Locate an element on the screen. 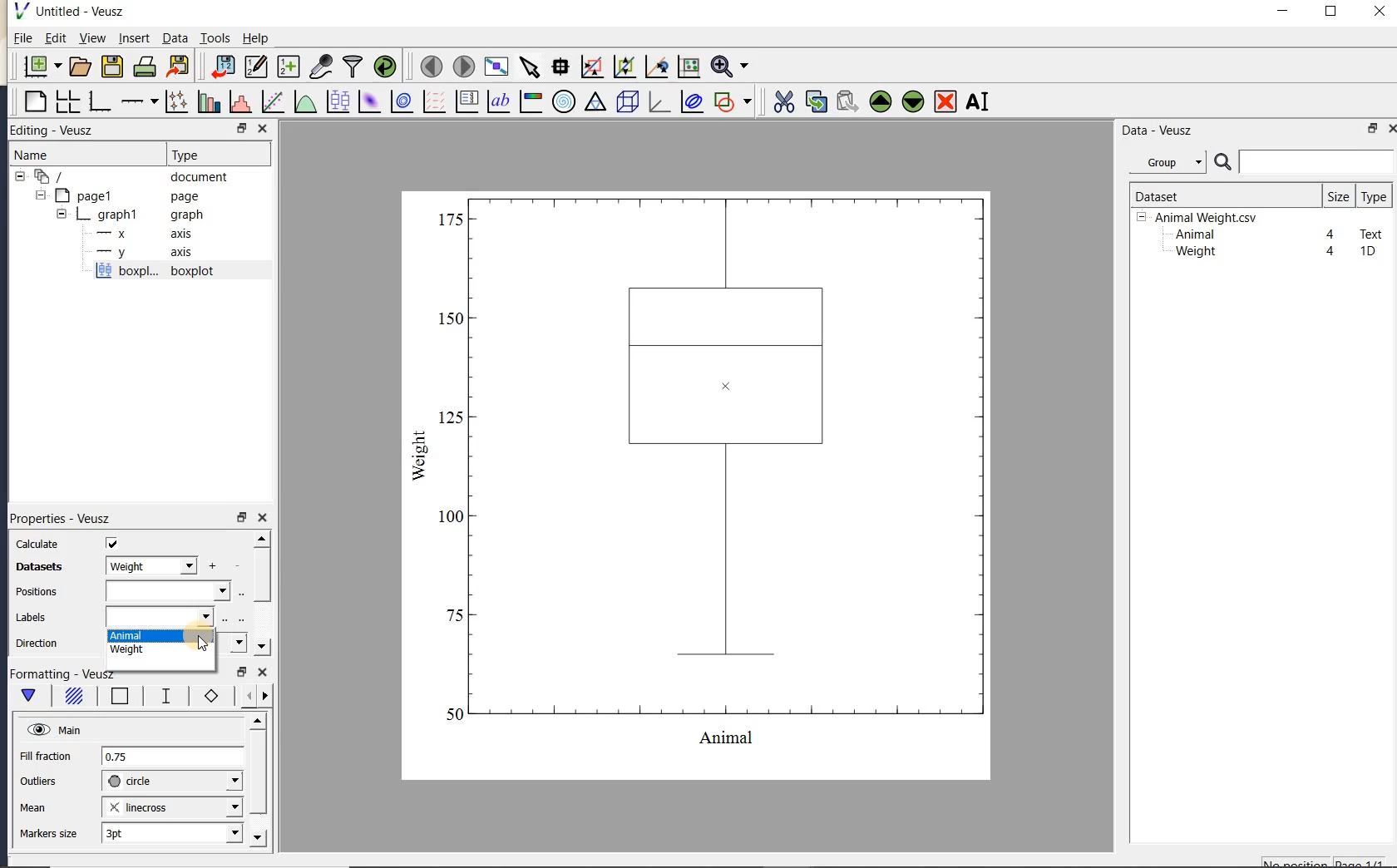 The height and width of the screenshot is (868, 1397). Fill fraction is located at coordinates (46, 757).